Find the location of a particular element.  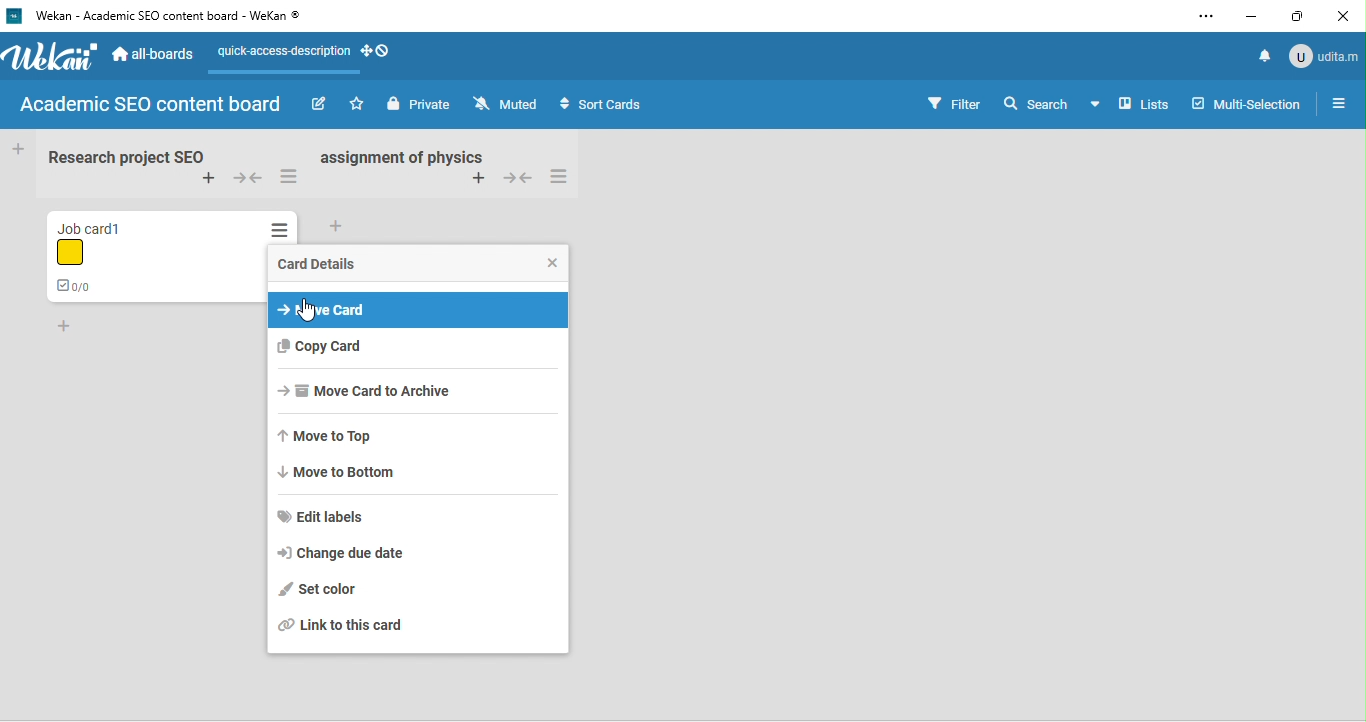

edit is located at coordinates (321, 104).